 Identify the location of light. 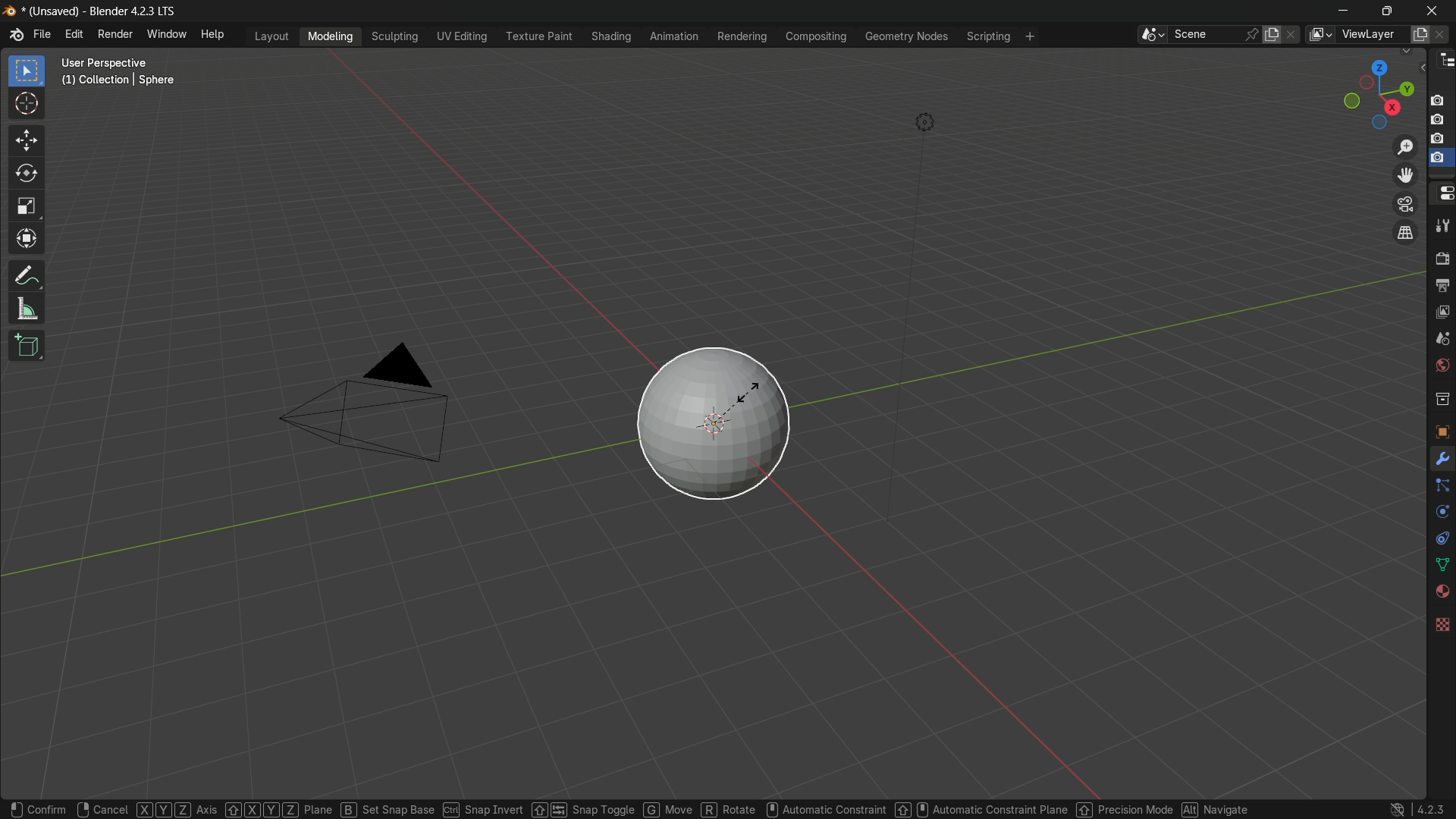
(935, 121).